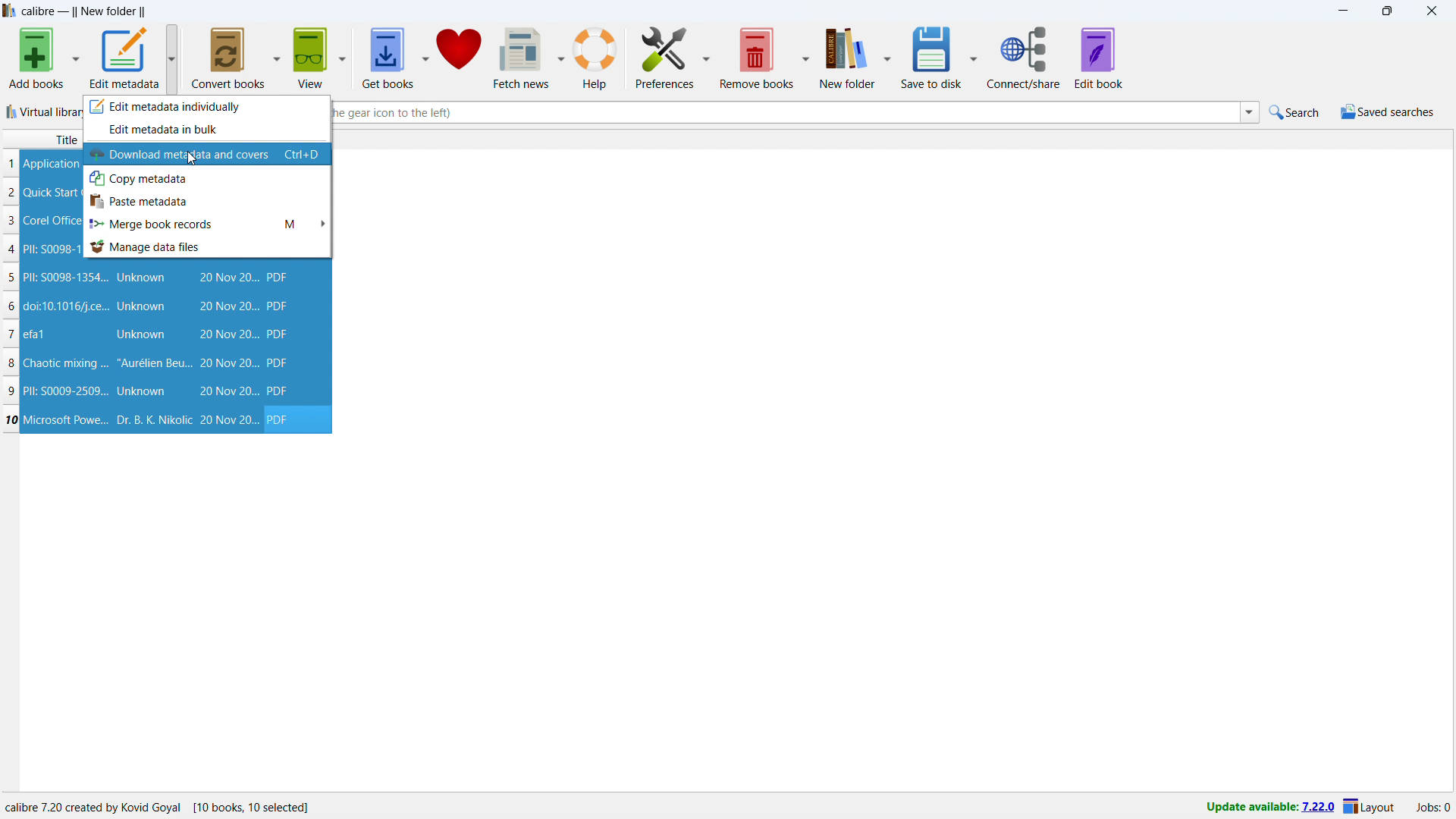  Describe the element at coordinates (77, 57) in the screenshot. I see `add books options` at that location.